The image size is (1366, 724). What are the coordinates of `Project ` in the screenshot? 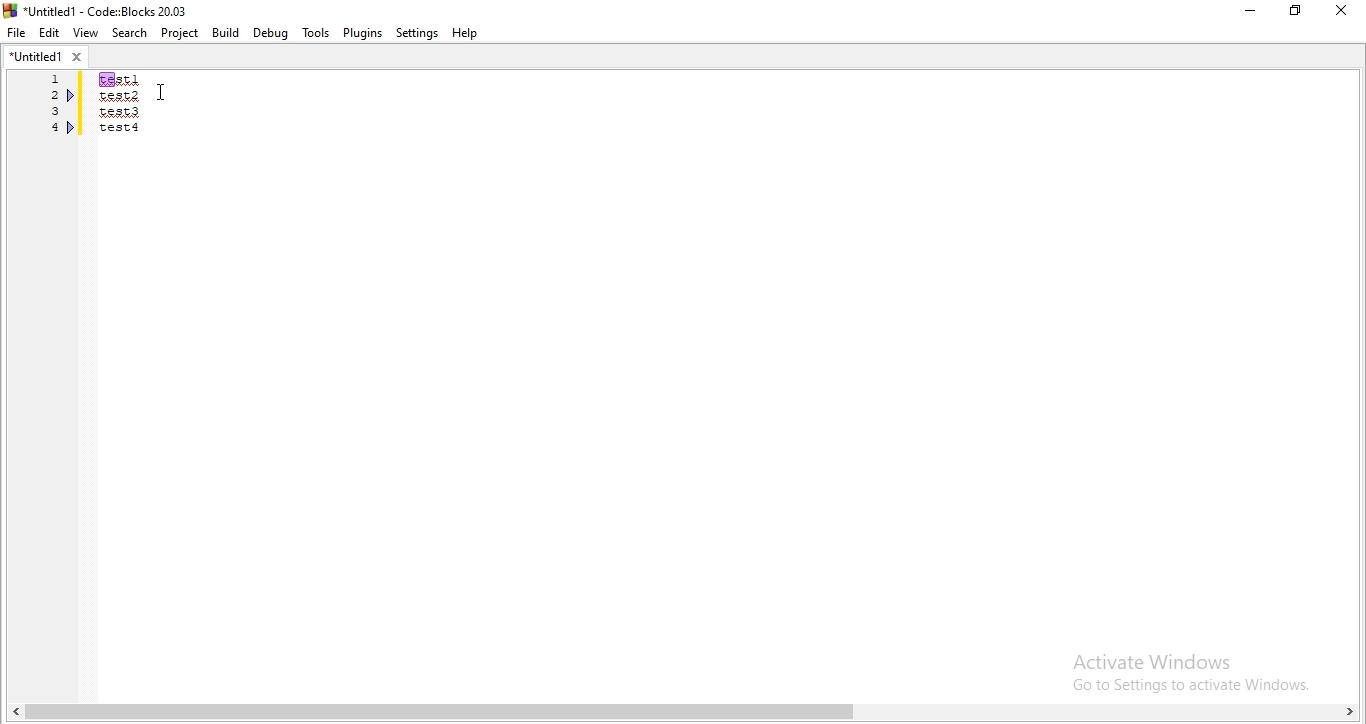 It's located at (181, 34).